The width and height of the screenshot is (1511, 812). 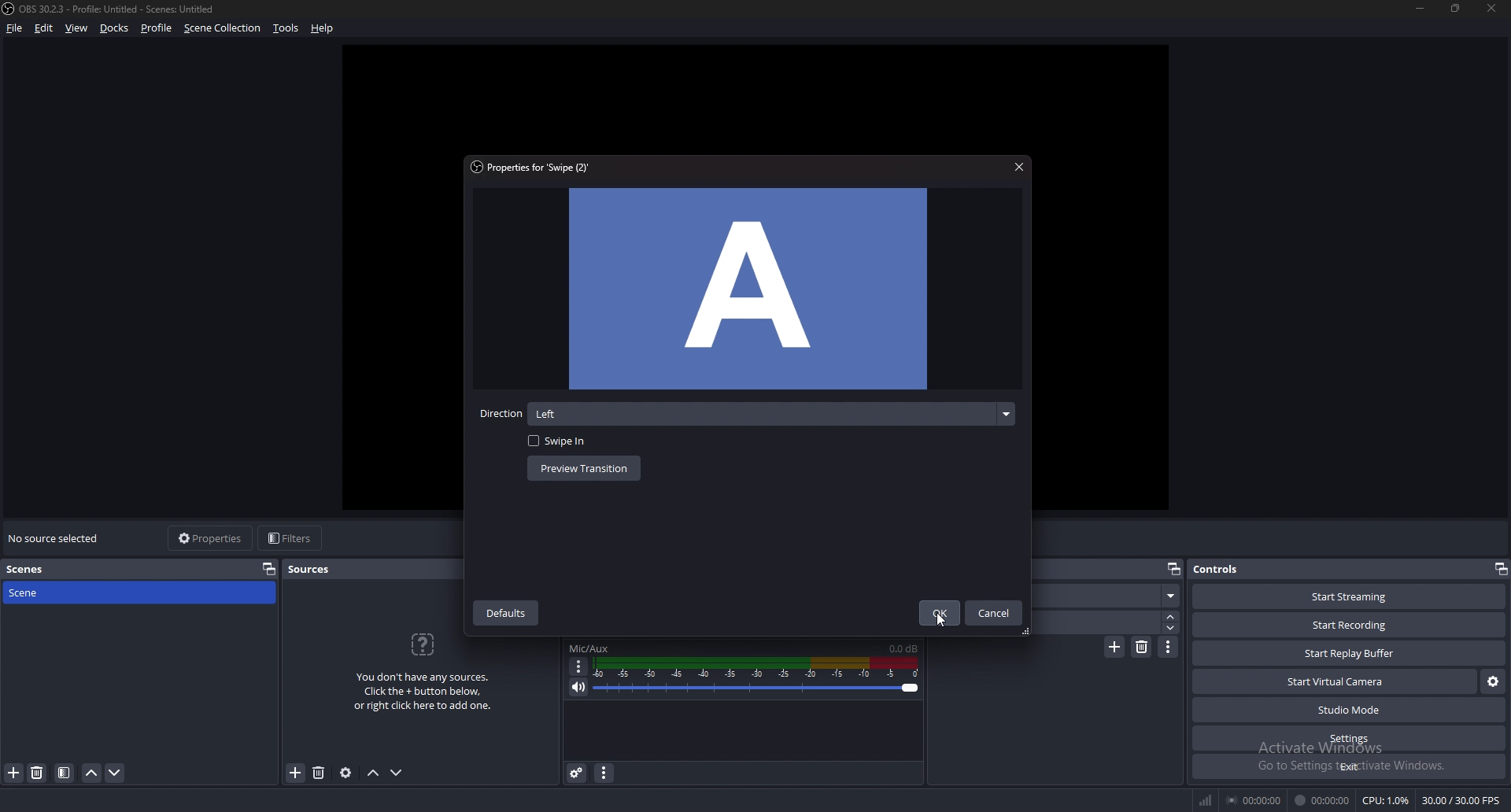 I want to click on 0.0db, so click(x=903, y=648).